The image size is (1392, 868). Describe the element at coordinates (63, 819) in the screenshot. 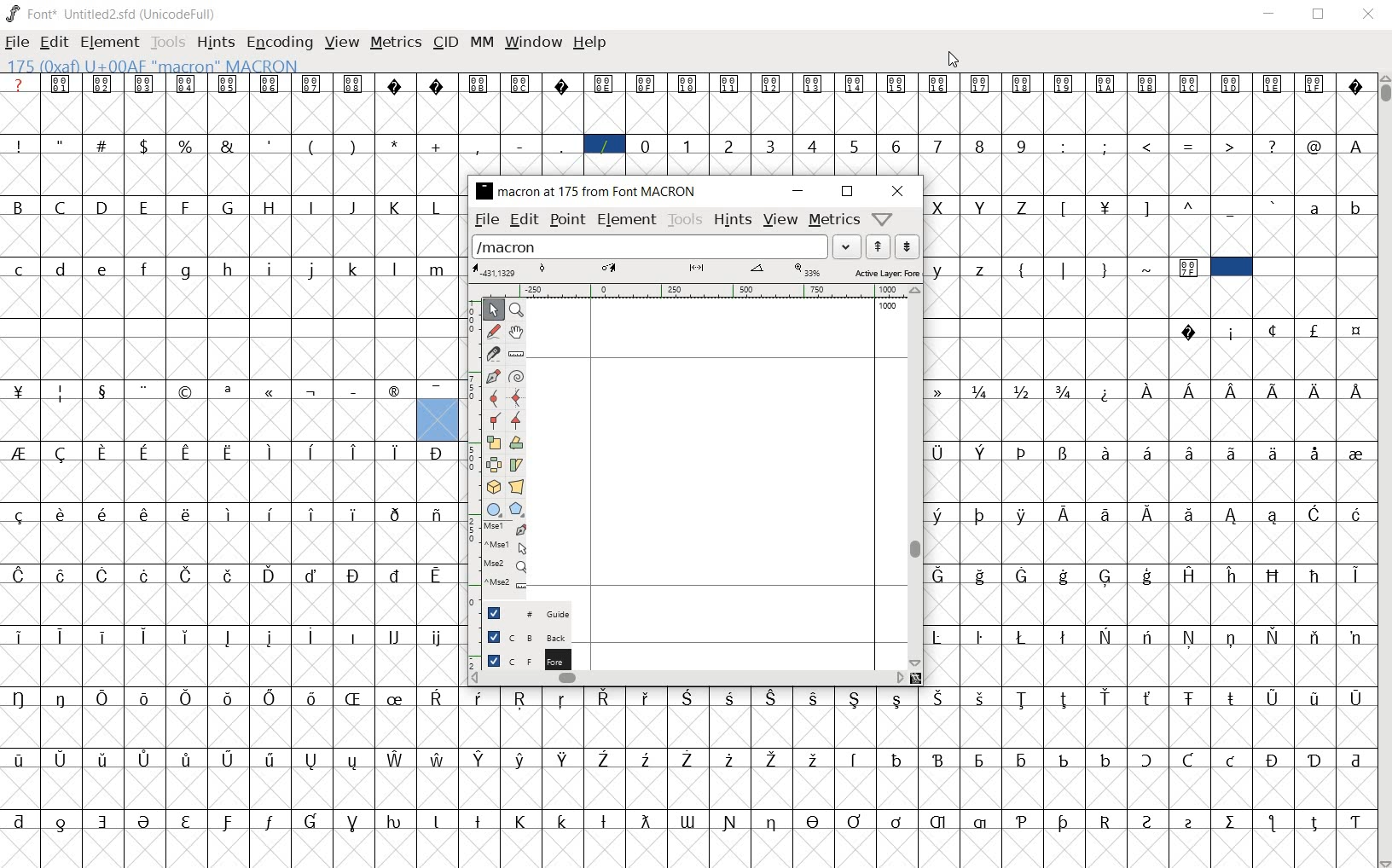

I see `Symbol` at that location.